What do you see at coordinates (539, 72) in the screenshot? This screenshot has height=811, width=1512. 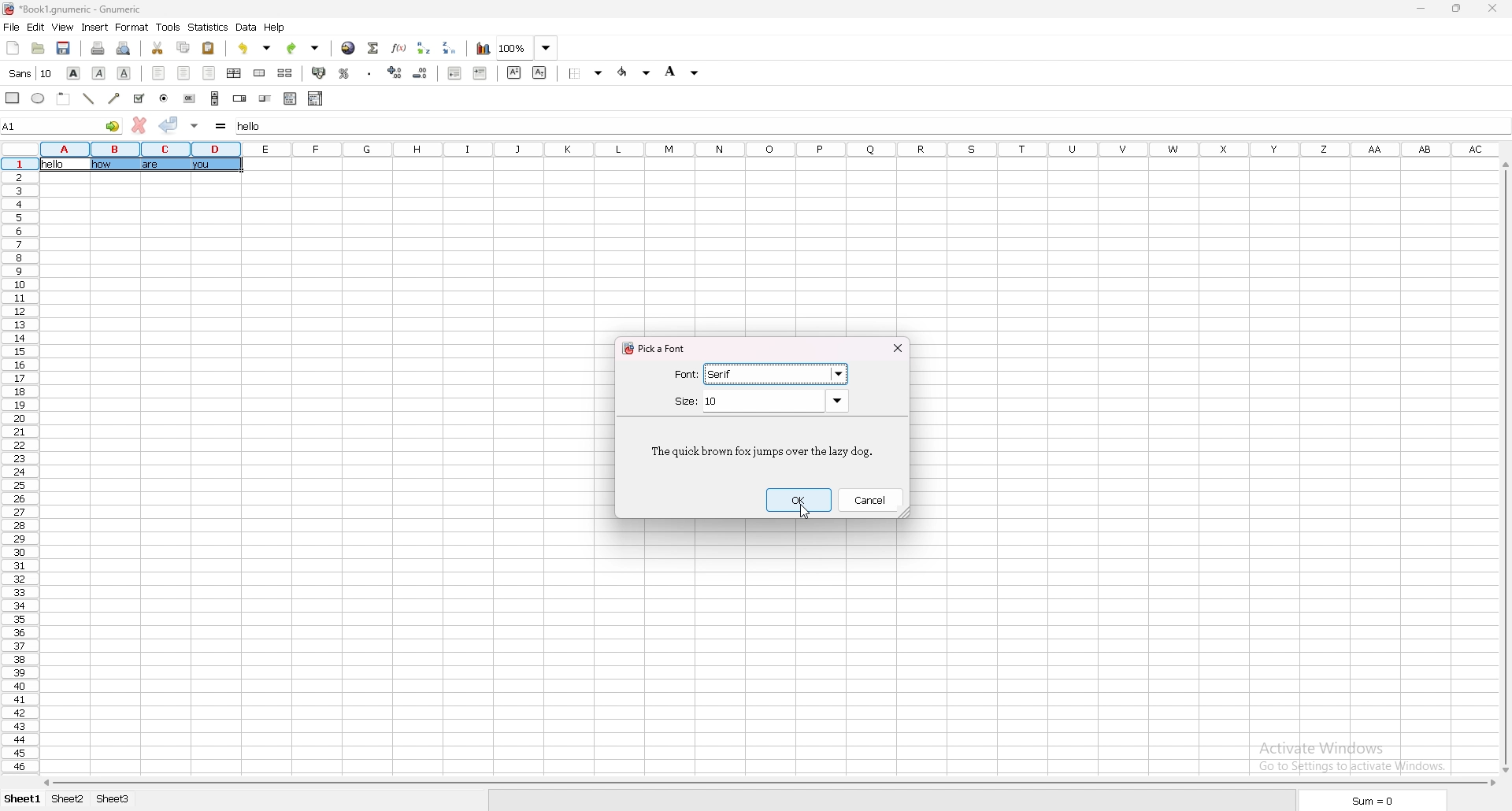 I see `subscript` at bounding box center [539, 72].